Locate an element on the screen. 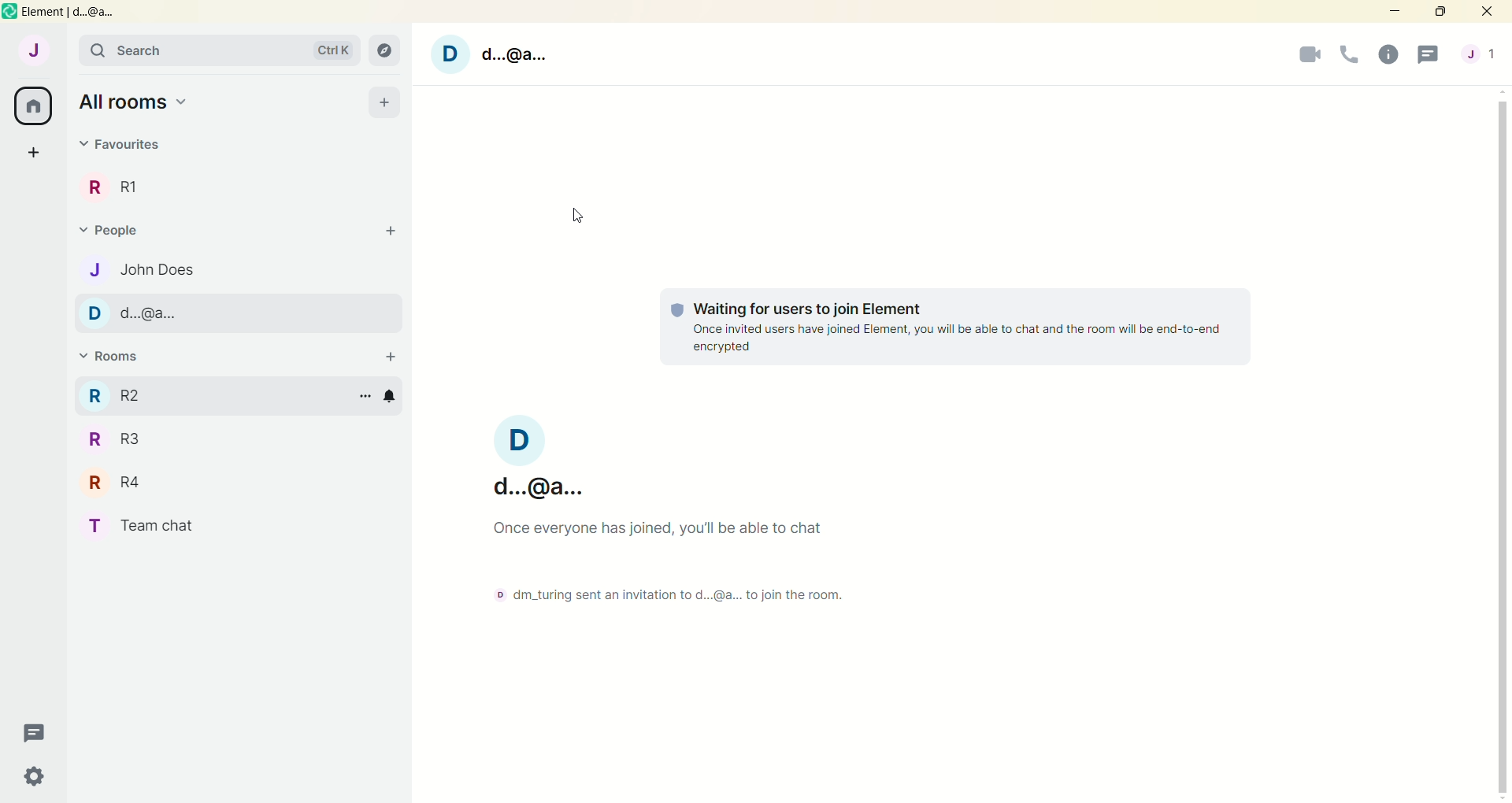  Rooms is located at coordinates (120, 356).